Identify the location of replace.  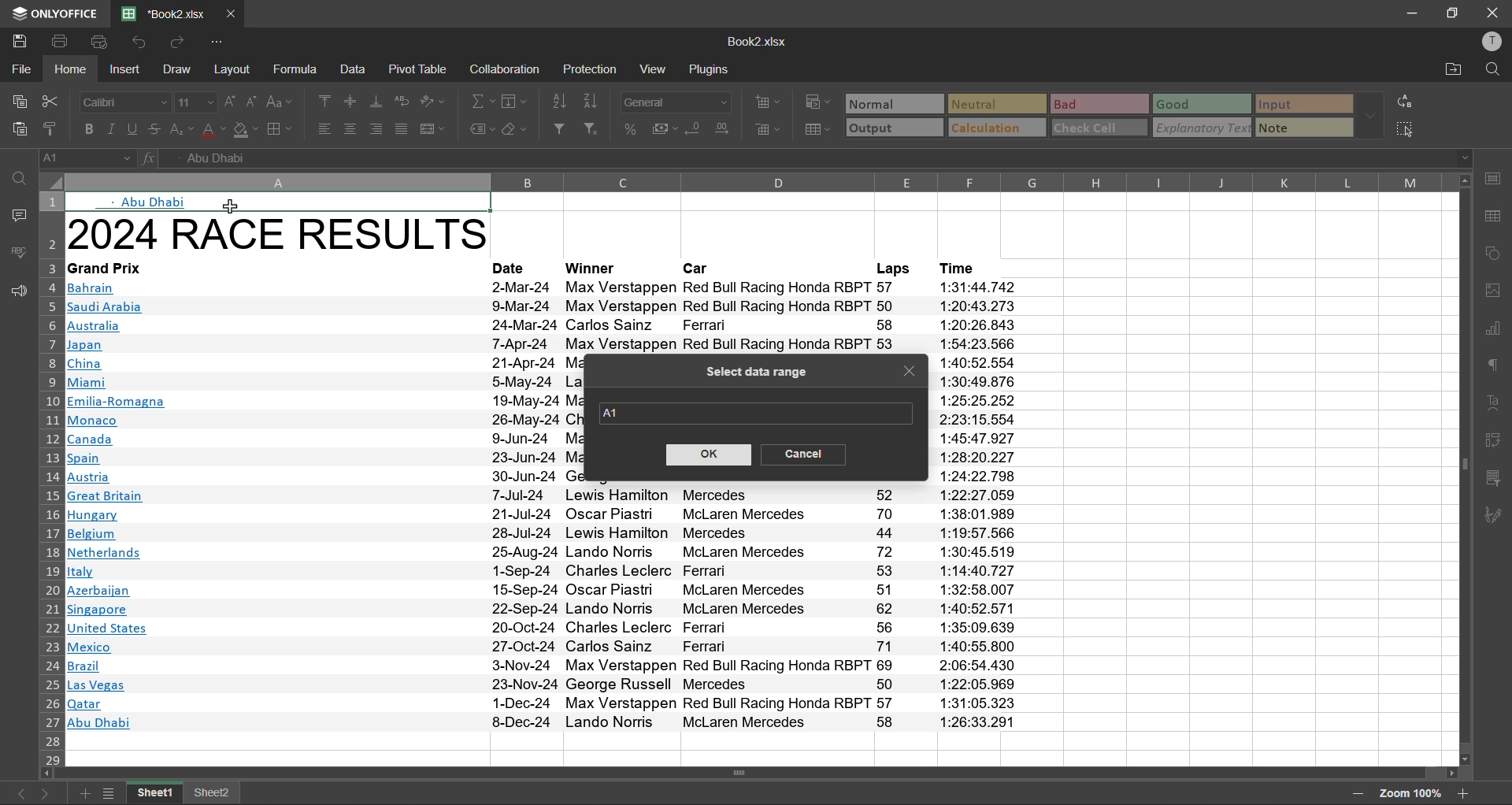
(1411, 102).